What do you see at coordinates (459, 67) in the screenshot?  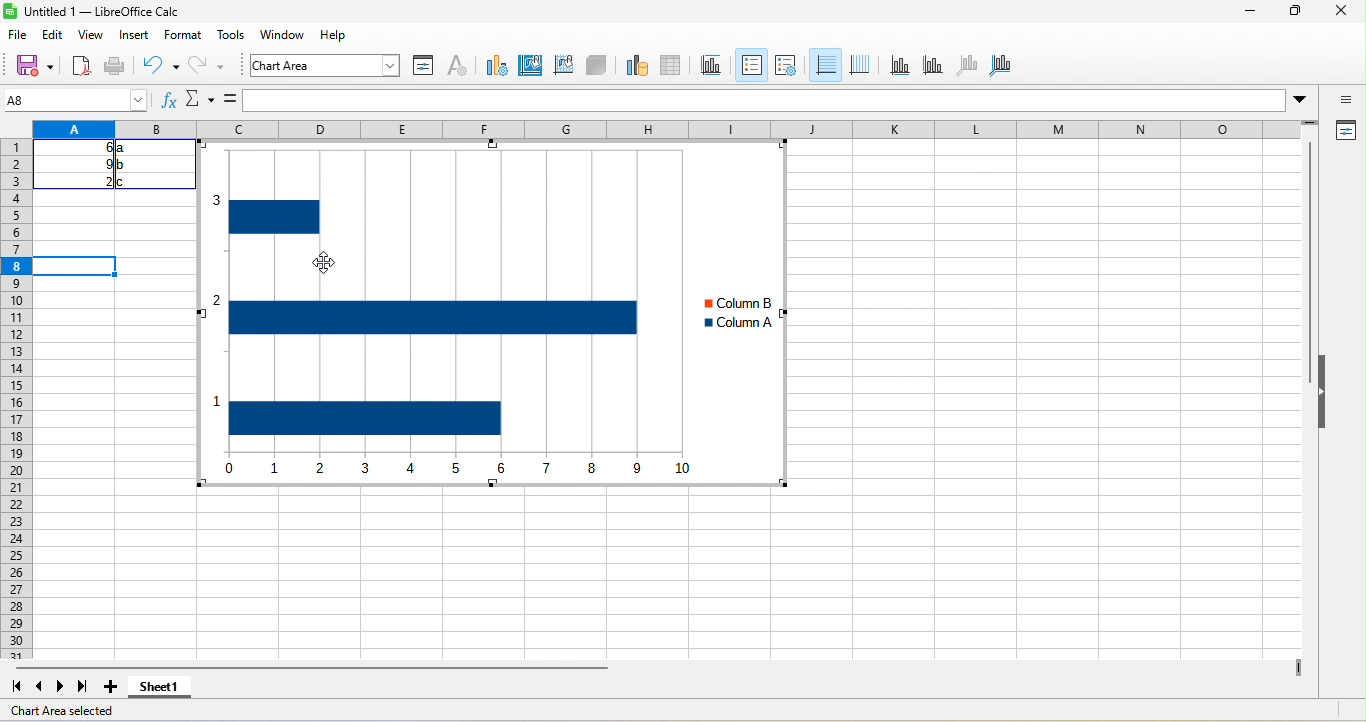 I see `character` at bounding box center [459, 67].